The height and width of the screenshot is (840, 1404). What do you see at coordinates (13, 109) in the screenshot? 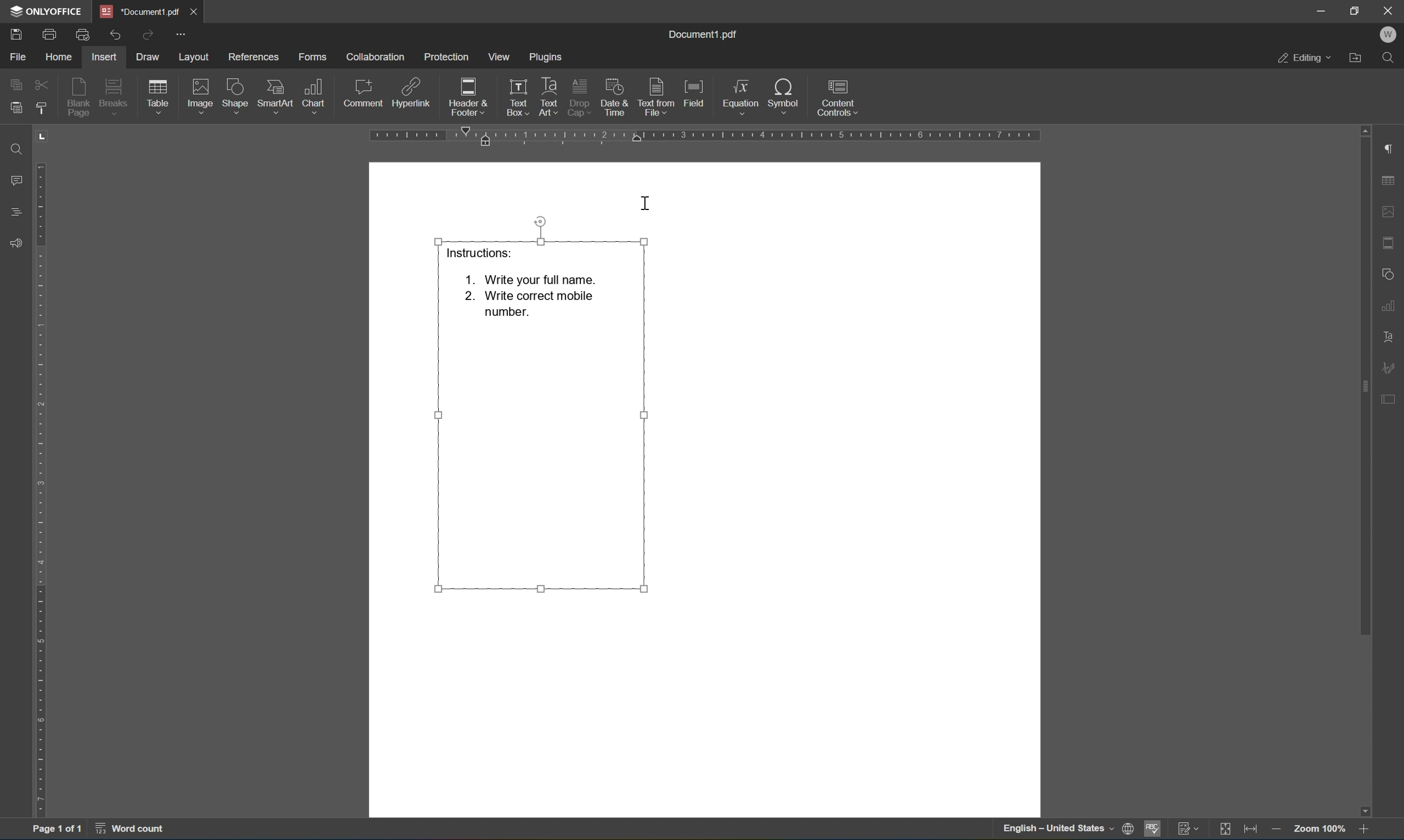
I see `paste` at bounding box center [13, 109].